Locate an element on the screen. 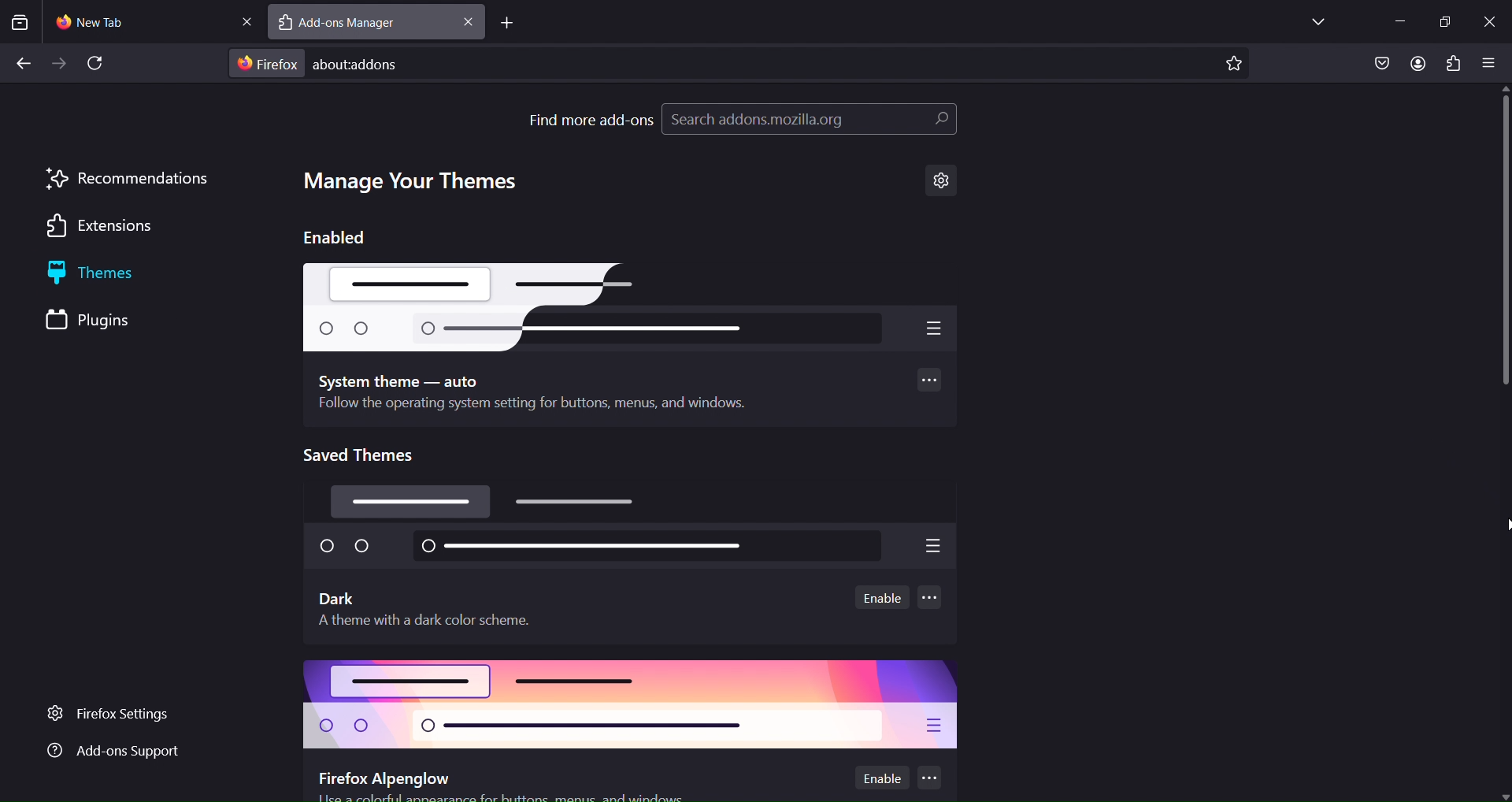 The image size is (1512, 802). firefox is located at coordinates (268, 64).